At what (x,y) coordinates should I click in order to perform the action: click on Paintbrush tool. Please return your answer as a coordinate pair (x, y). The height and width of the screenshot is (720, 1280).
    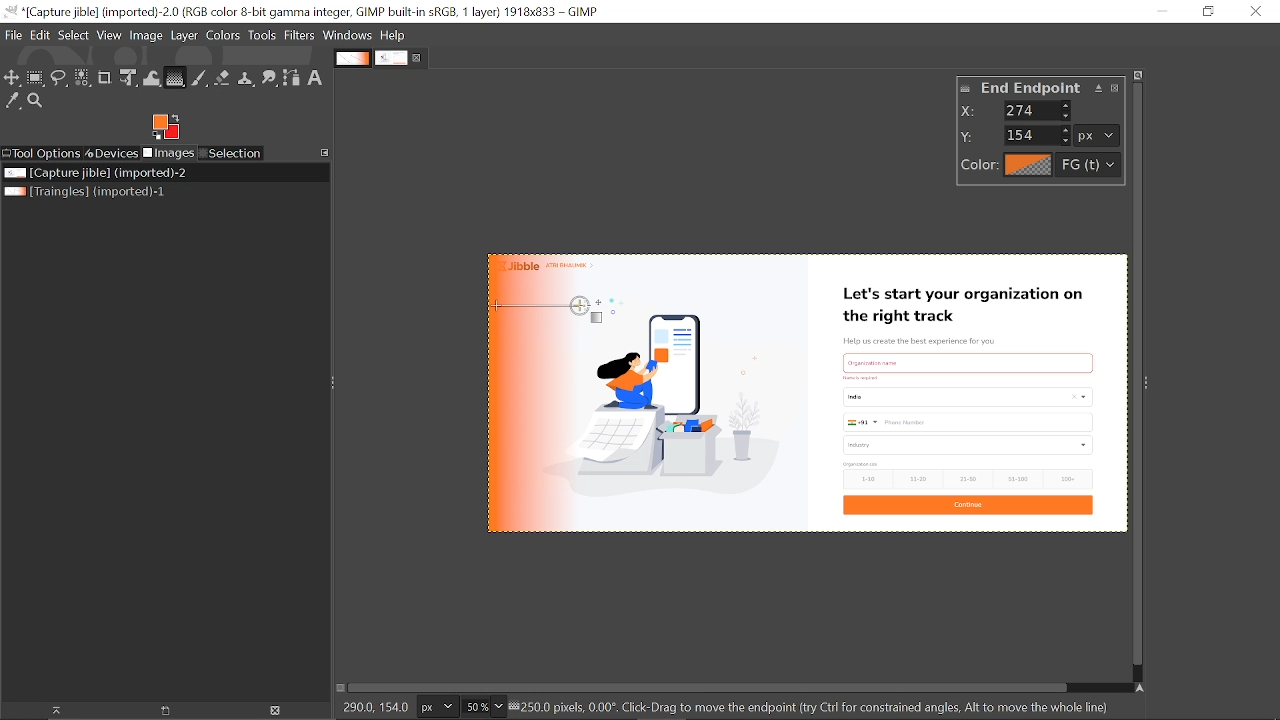
    Looking at the image, I should click on (201, 78).